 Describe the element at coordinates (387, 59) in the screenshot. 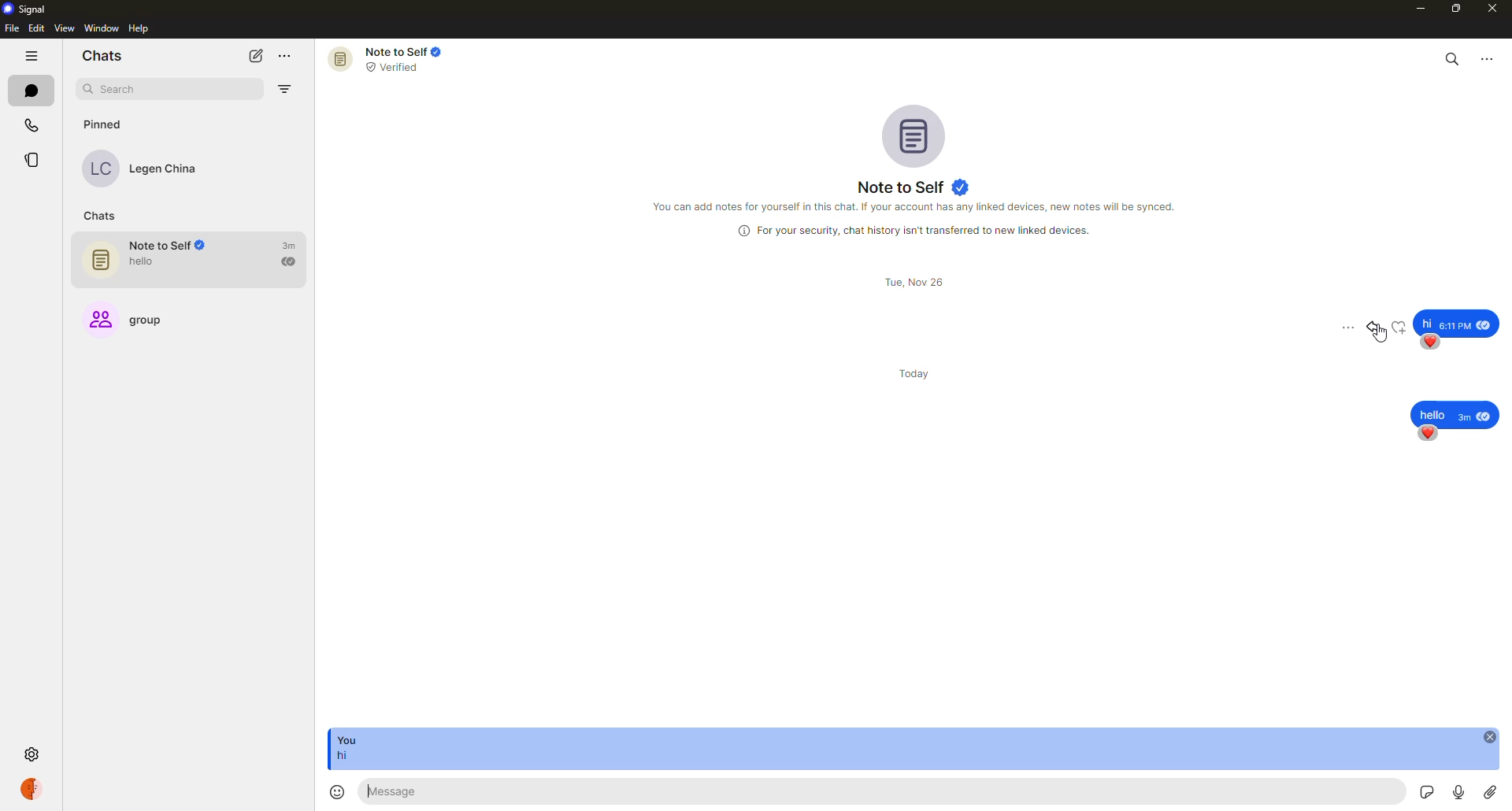

I see `note to self` at that location.